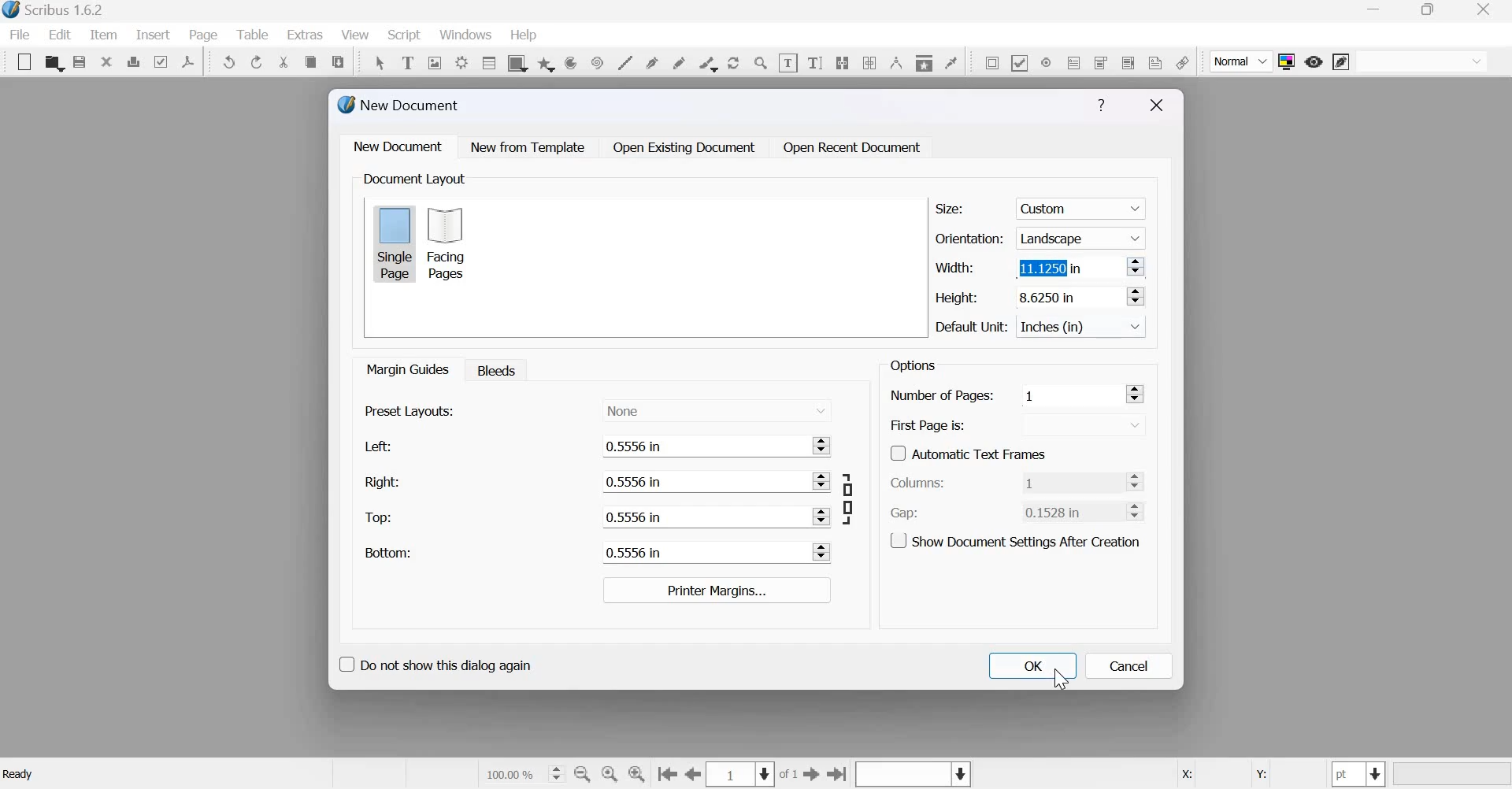 Image resolution: width=1512 pixels, height=789 pixels. I want to click on Increase and Decrease, so click(1140, 510).